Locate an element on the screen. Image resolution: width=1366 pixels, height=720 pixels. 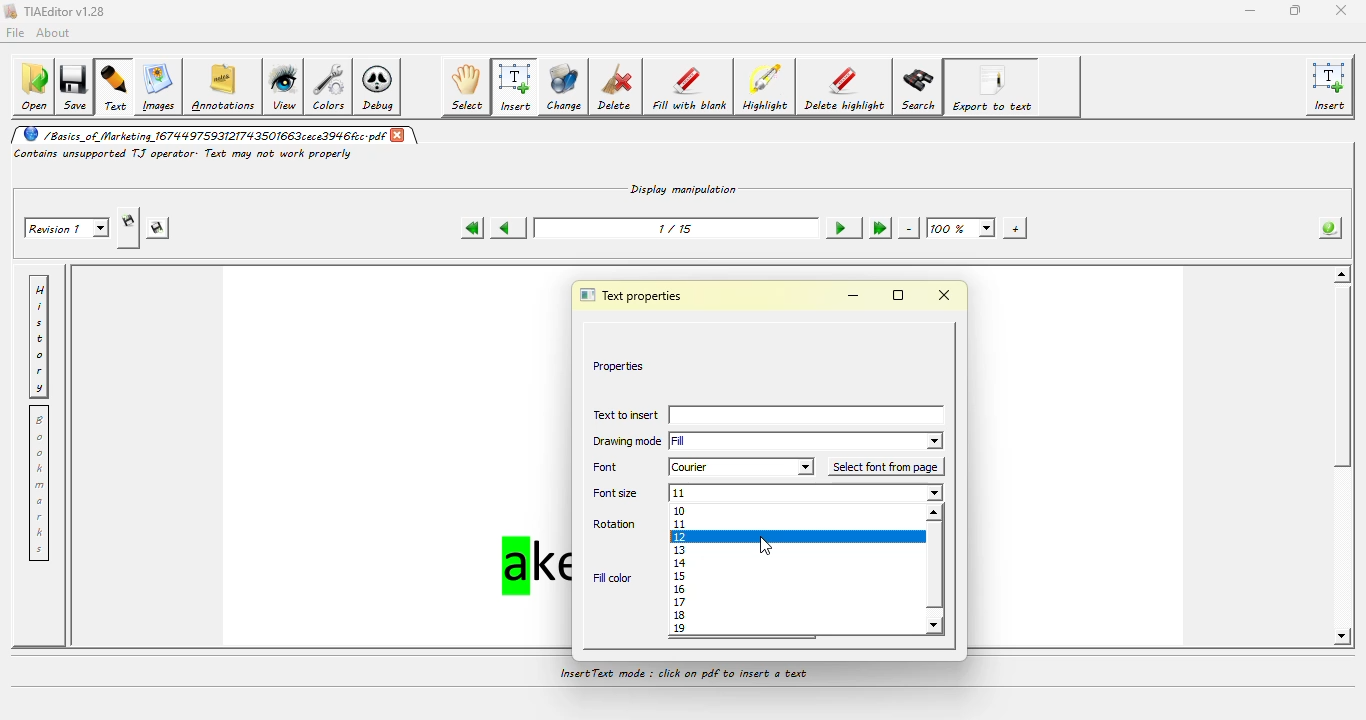
Revision 1 is located at coordinates (69, 227).